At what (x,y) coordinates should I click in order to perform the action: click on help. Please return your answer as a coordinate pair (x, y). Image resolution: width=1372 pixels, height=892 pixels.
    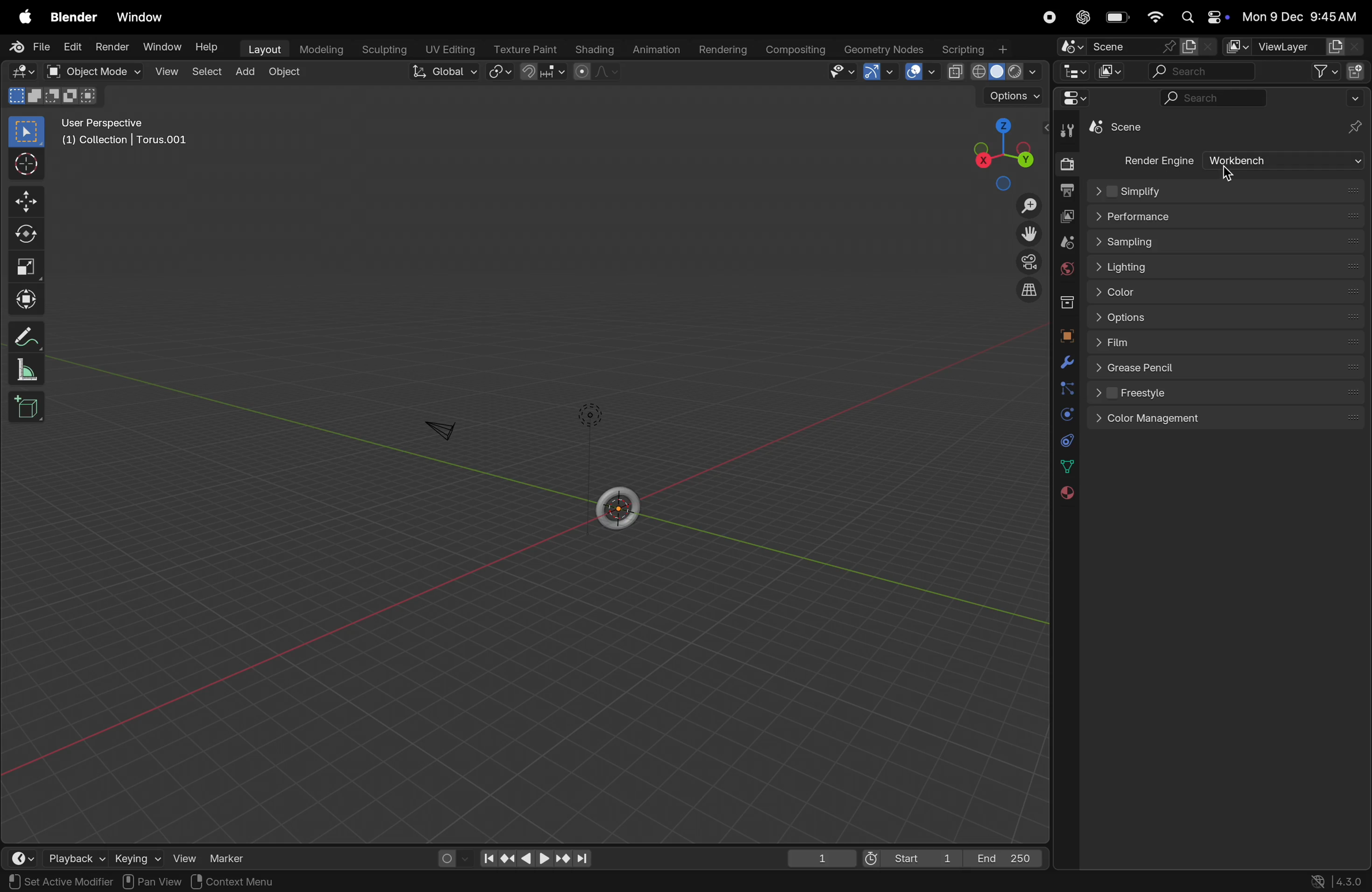
    Looking at the image, I should click on (208, 48).